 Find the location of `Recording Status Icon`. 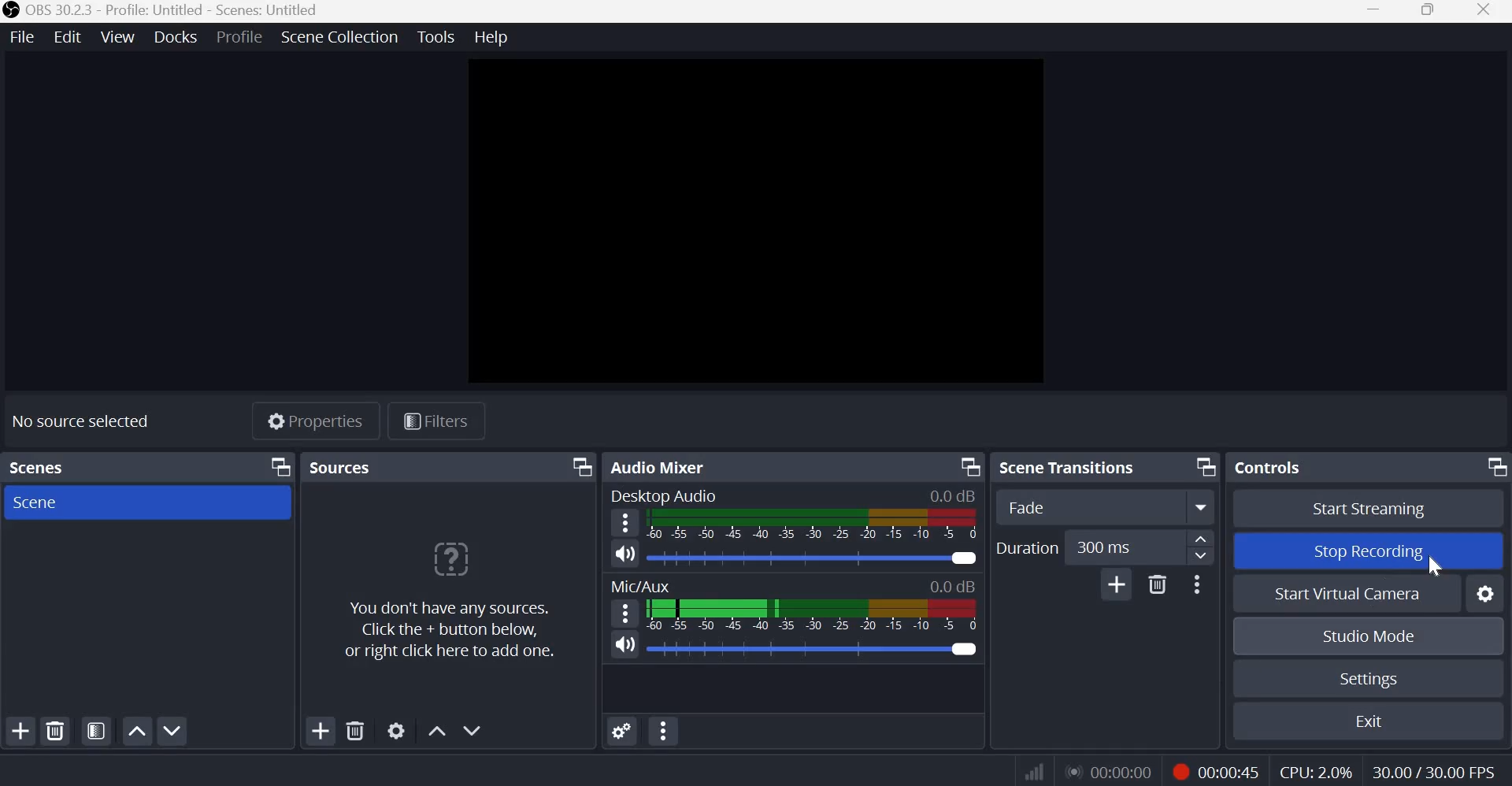

Recording Status Icon is located at coordinates (1177, 772).